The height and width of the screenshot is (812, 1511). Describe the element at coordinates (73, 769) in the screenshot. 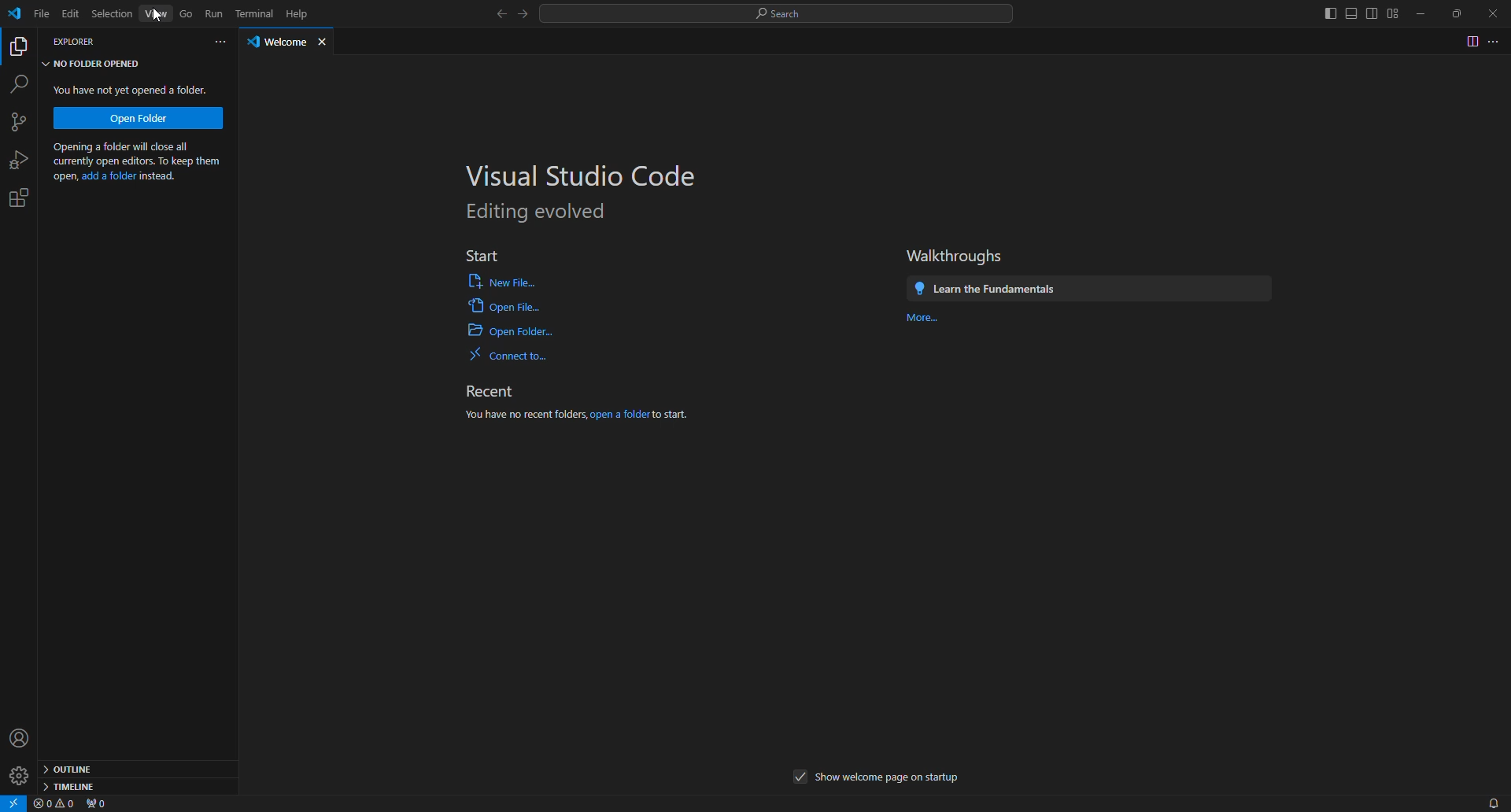

I see `outline` at that location.